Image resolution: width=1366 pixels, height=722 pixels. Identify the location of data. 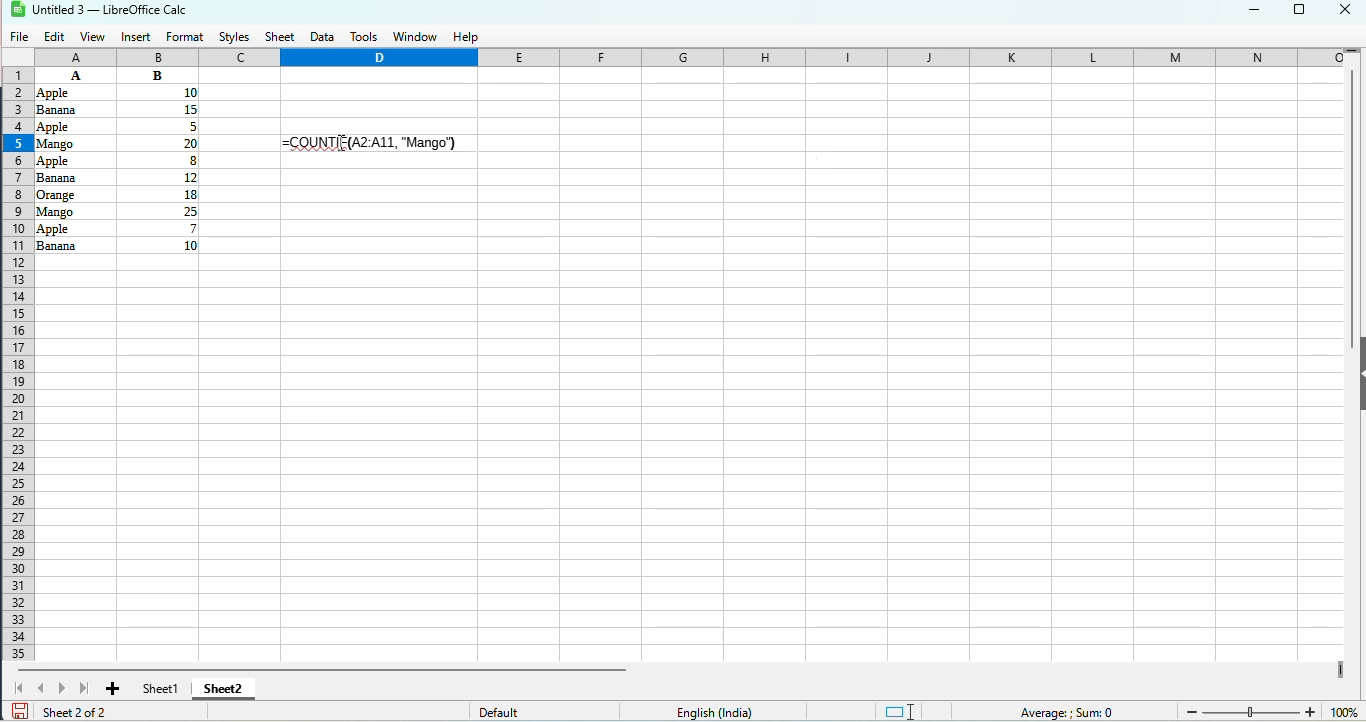
(323, 38).